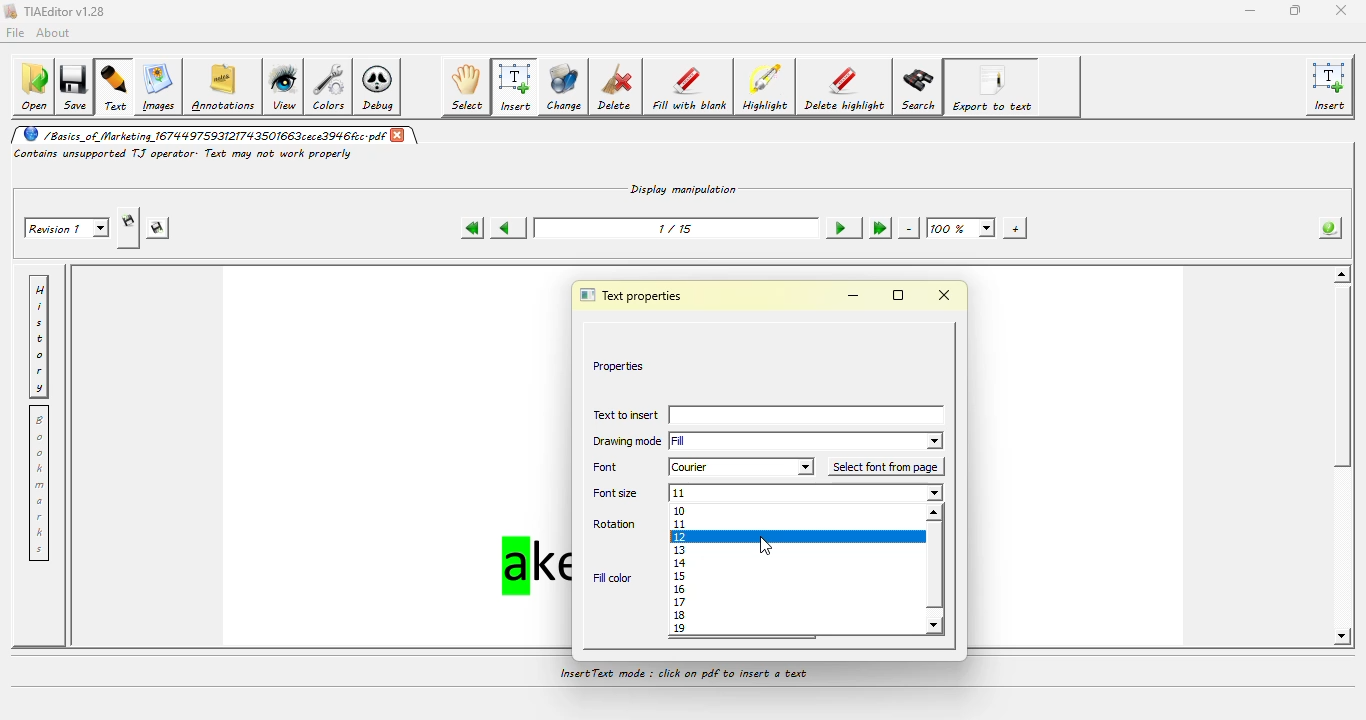 This screenshot has width=1366, height=720. I want to click on view, so click(286, 86).